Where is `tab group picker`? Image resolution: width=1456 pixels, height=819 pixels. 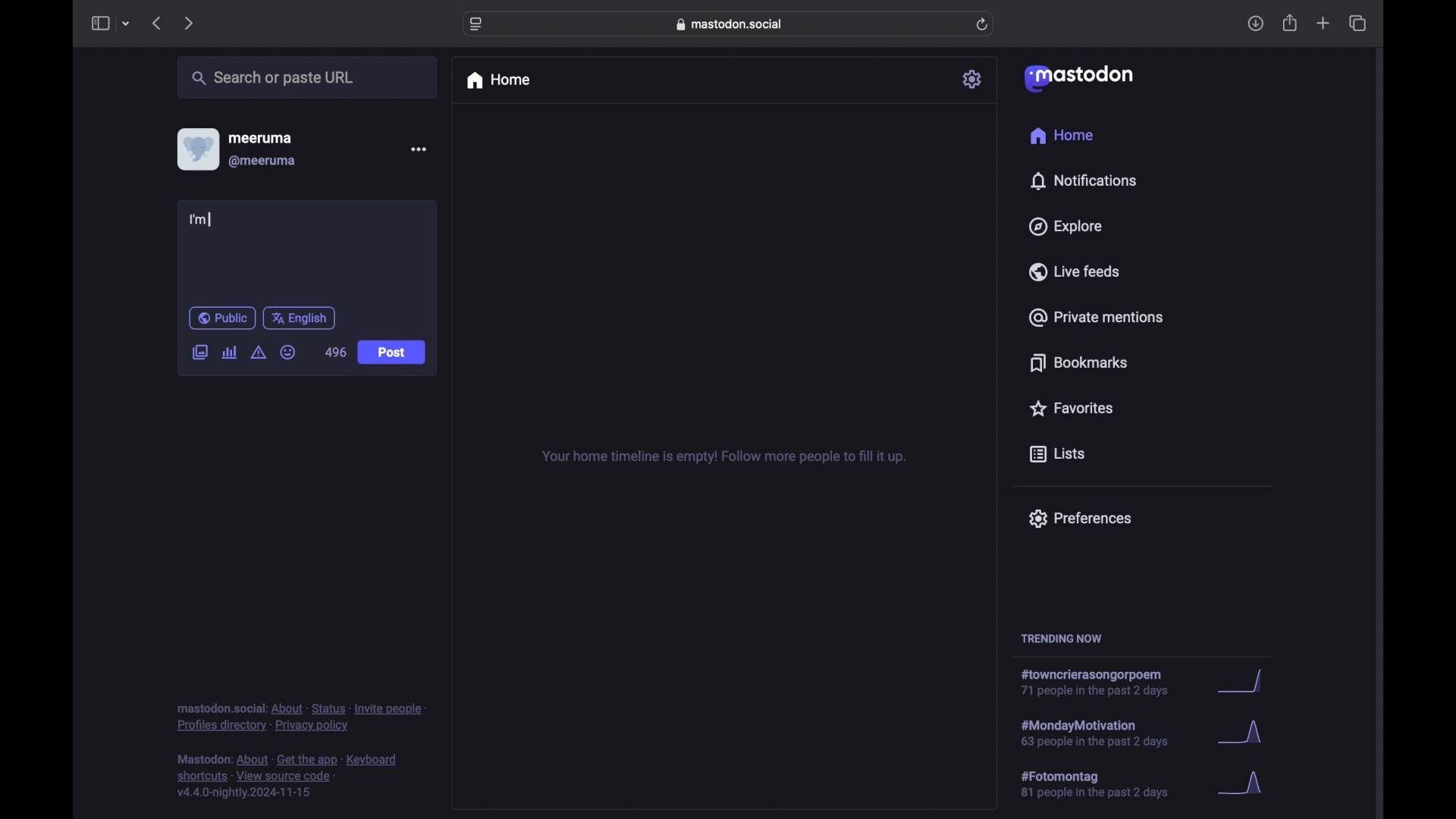
tab group picker is located at coordinates (127, 23).